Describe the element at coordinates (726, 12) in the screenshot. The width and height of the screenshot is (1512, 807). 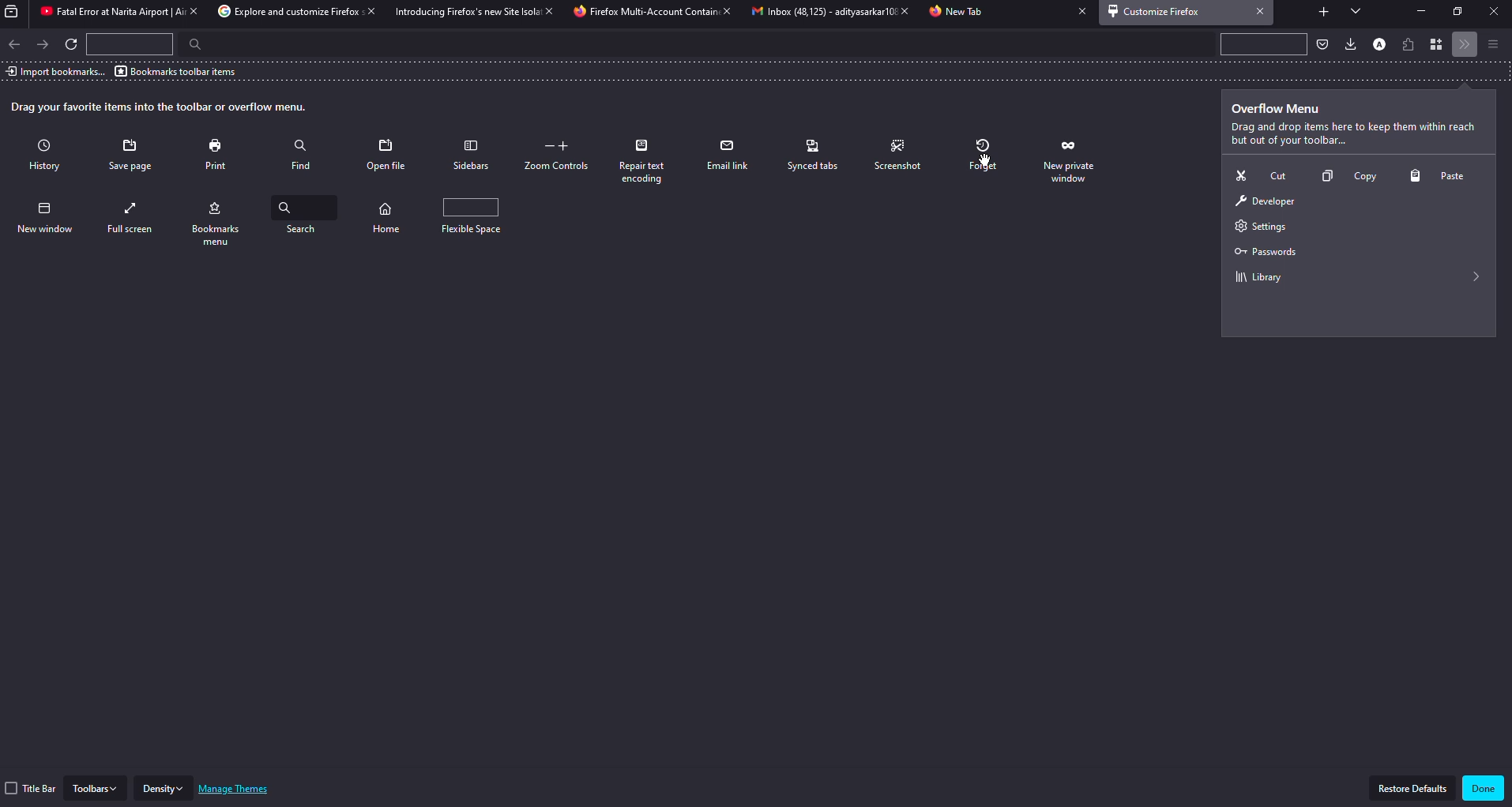
I see `close` at that location.